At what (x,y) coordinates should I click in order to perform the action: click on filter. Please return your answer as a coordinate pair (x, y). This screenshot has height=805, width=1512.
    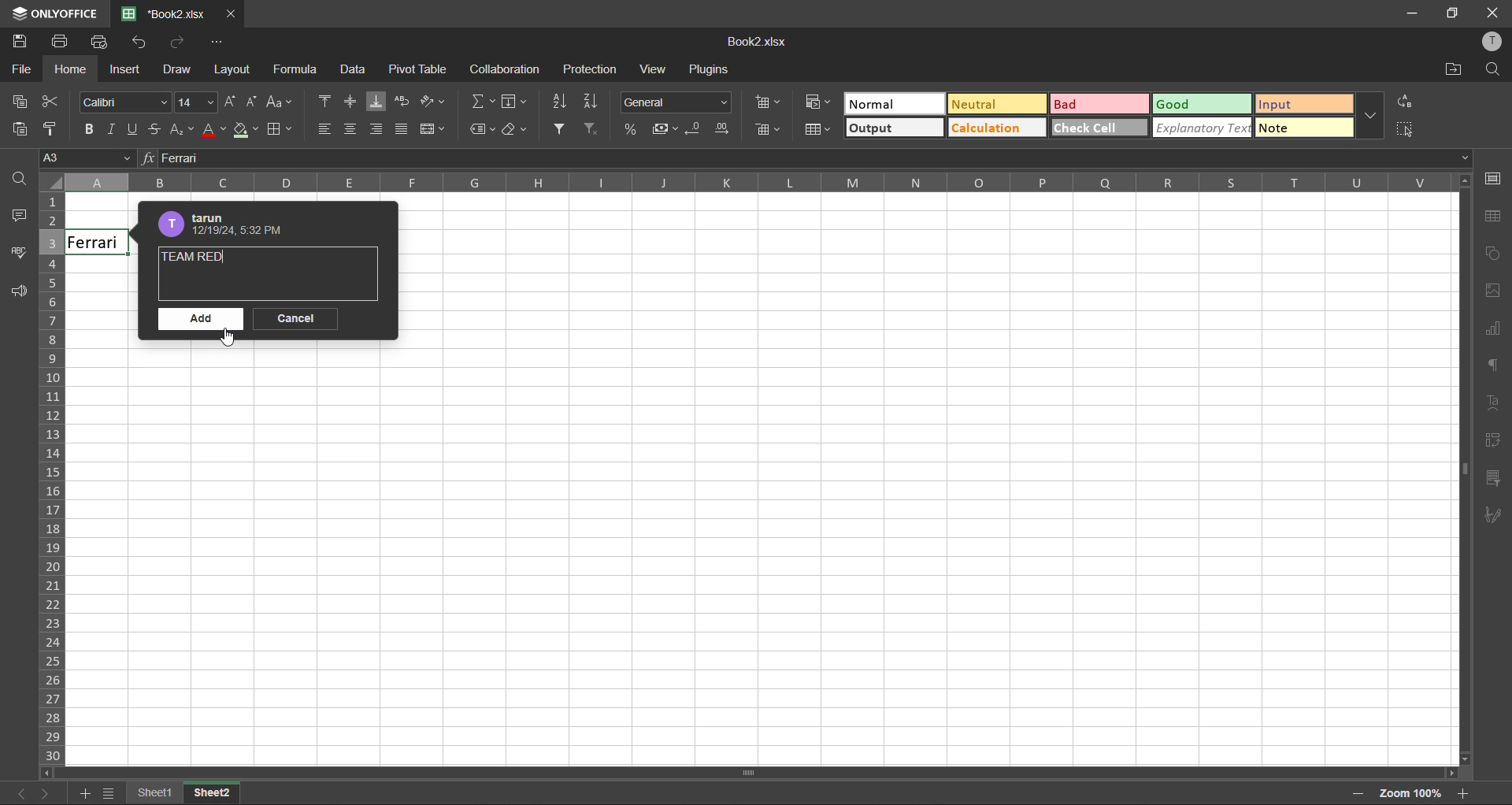
    Looking at the image, I should click on (561, 129).